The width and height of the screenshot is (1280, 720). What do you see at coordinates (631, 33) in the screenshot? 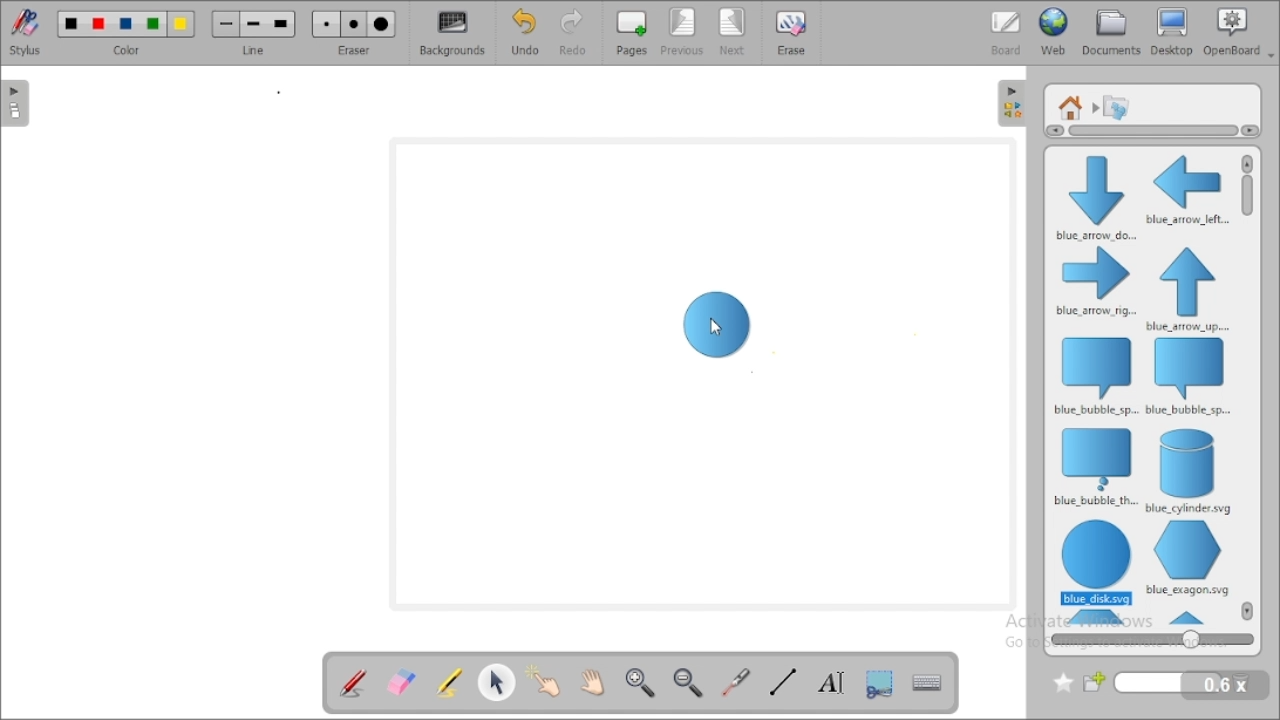
I see `pages` at bounding box center [631, 33].